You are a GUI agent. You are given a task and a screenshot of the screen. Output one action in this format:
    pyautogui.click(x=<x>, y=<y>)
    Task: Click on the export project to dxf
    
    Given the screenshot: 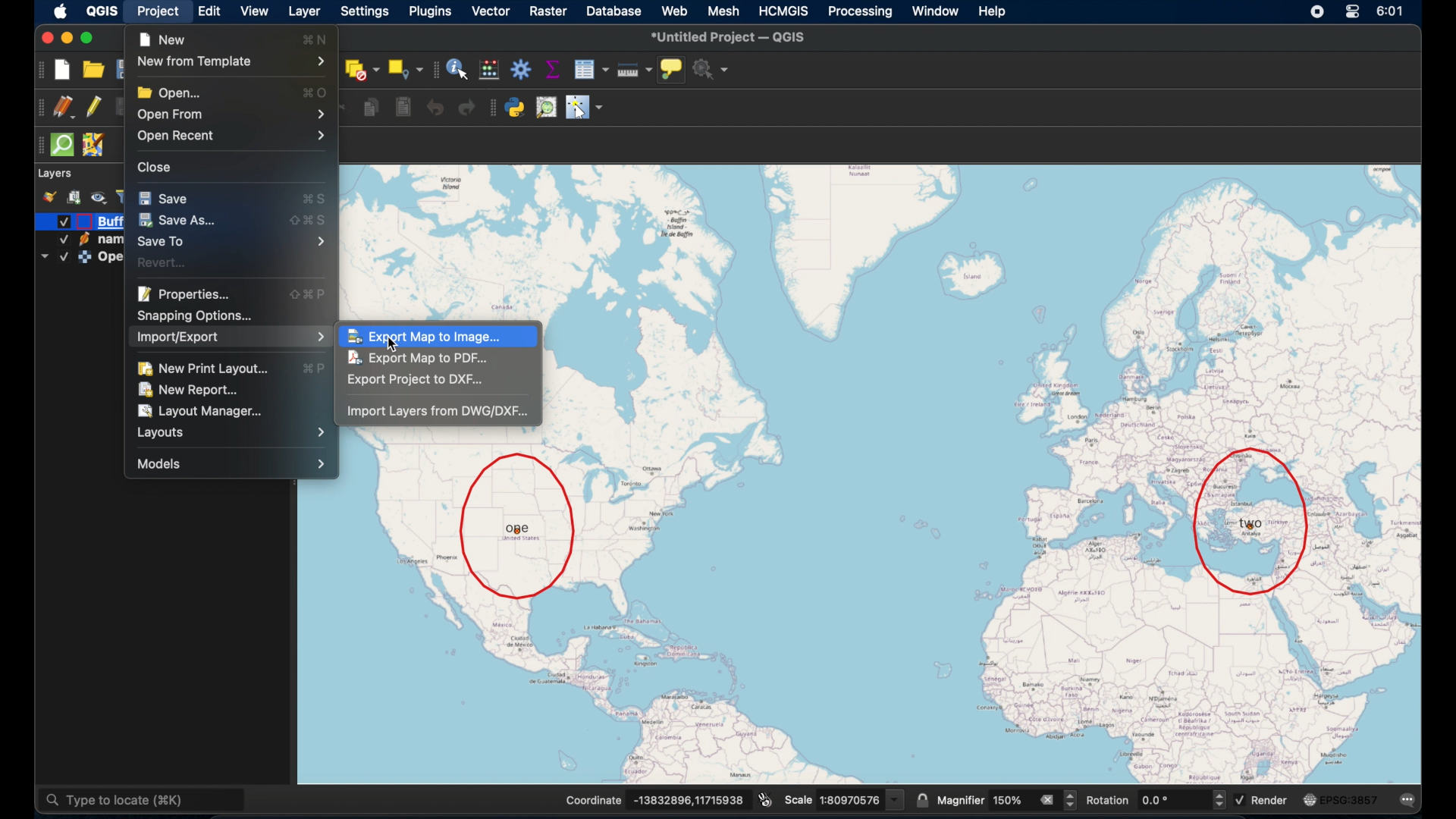 What is the action you would take?
    pyautogui.click(x=422, y=381)
    